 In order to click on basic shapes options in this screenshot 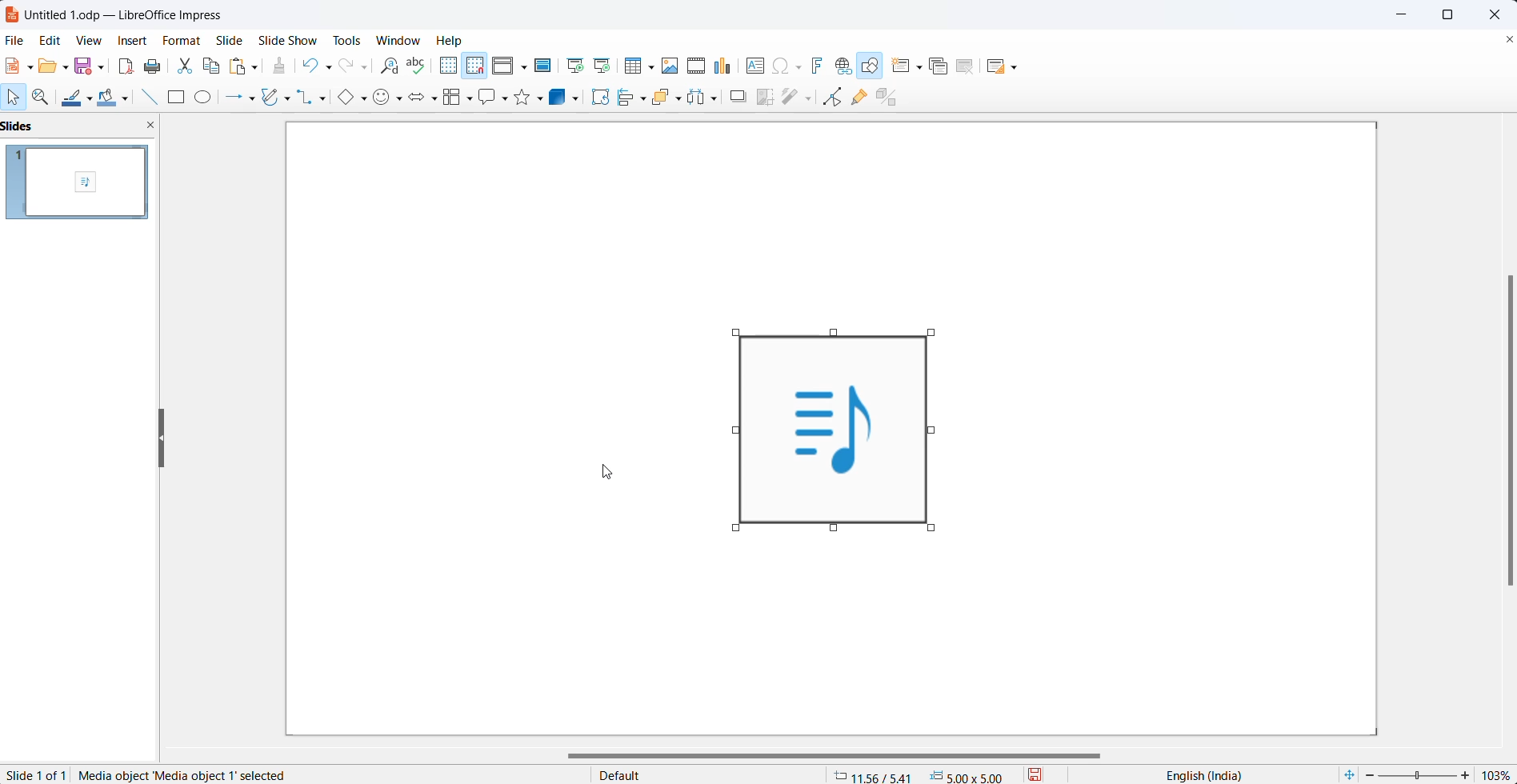, I will do `click(362, 100)`.